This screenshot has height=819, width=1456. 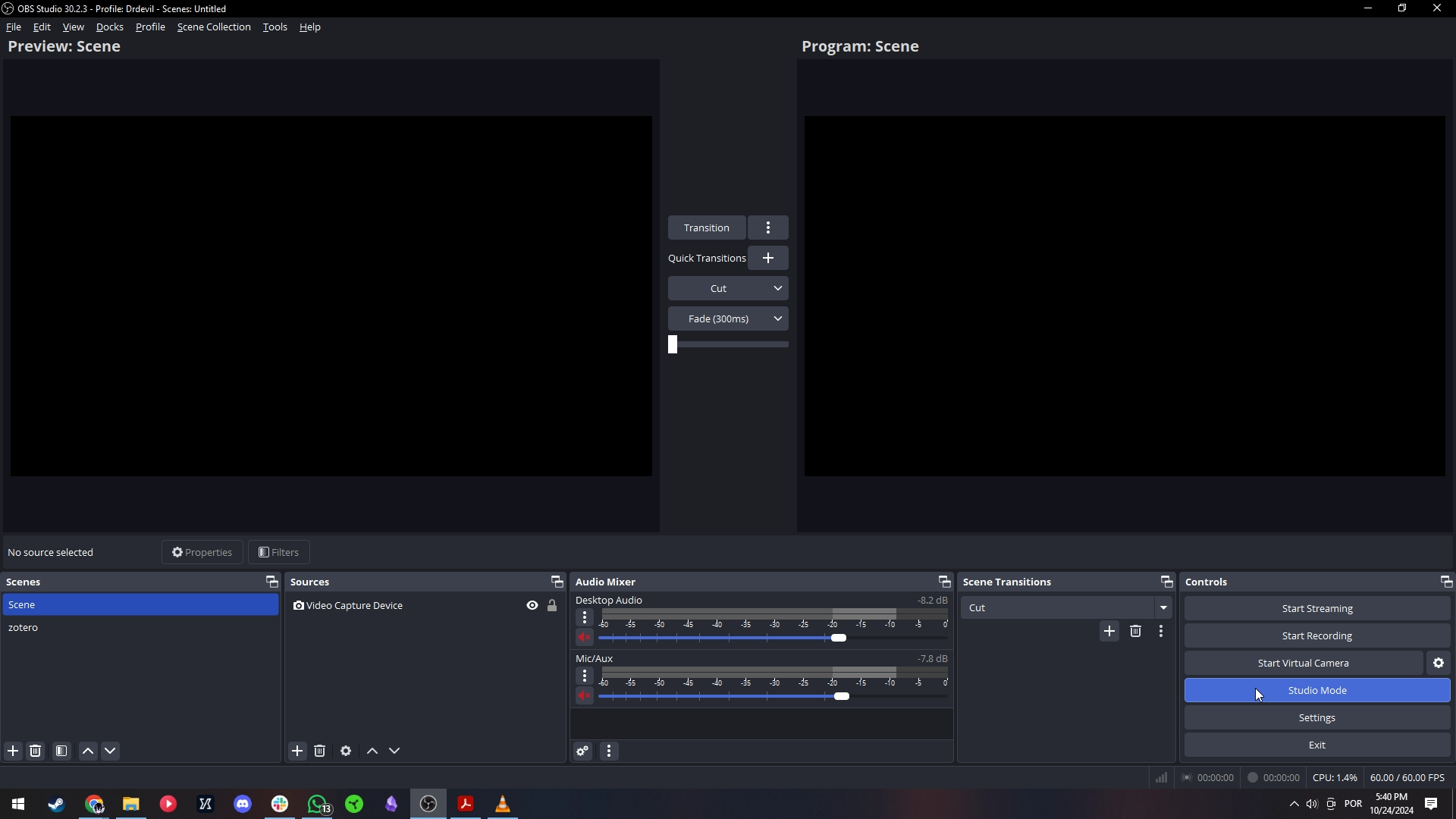 I want to click on Filters, so click(x=281, y=552).